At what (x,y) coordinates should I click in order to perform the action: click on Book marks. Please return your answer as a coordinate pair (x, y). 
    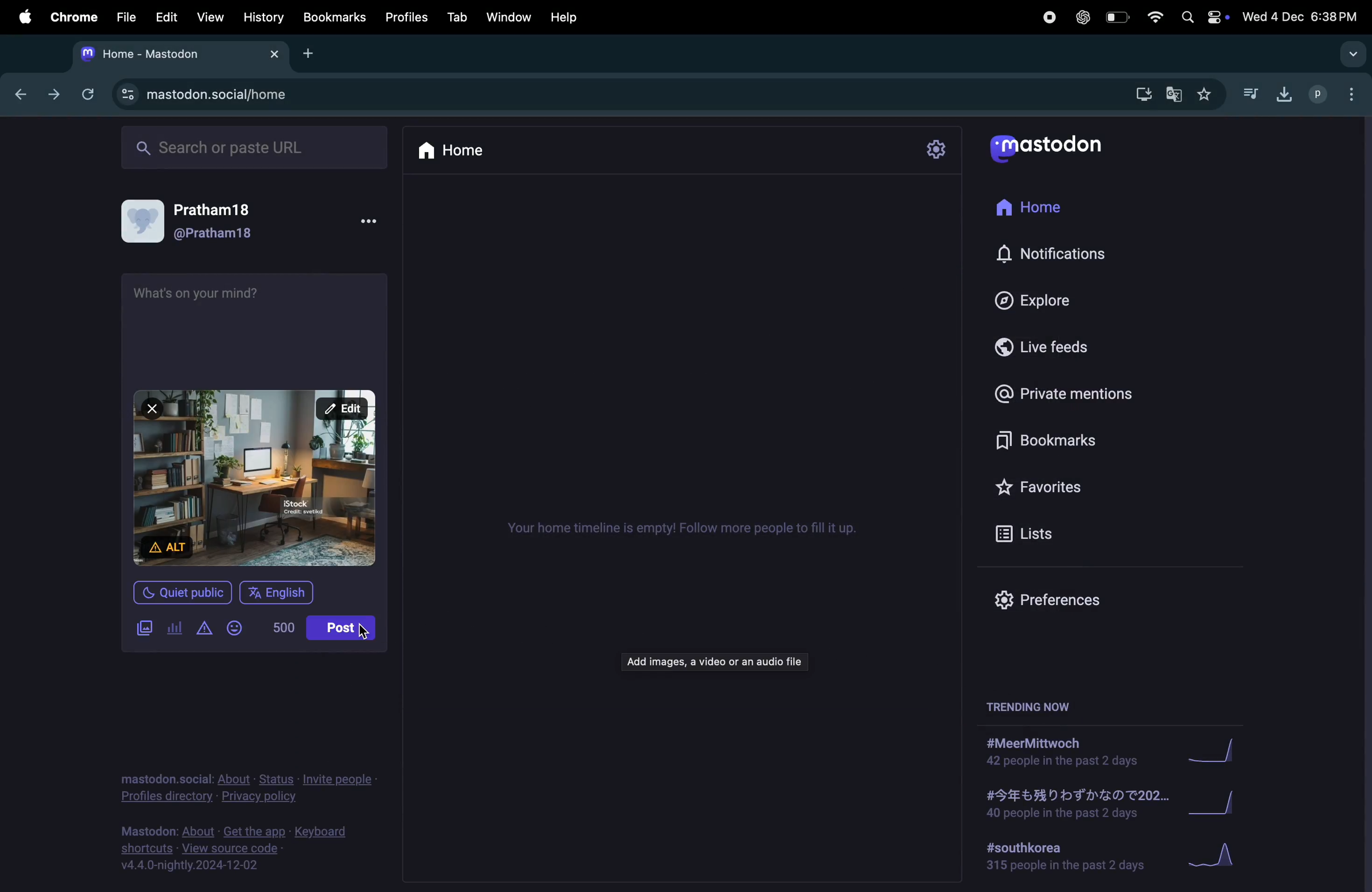
    Looking at the image, I should click on (1046, 441).